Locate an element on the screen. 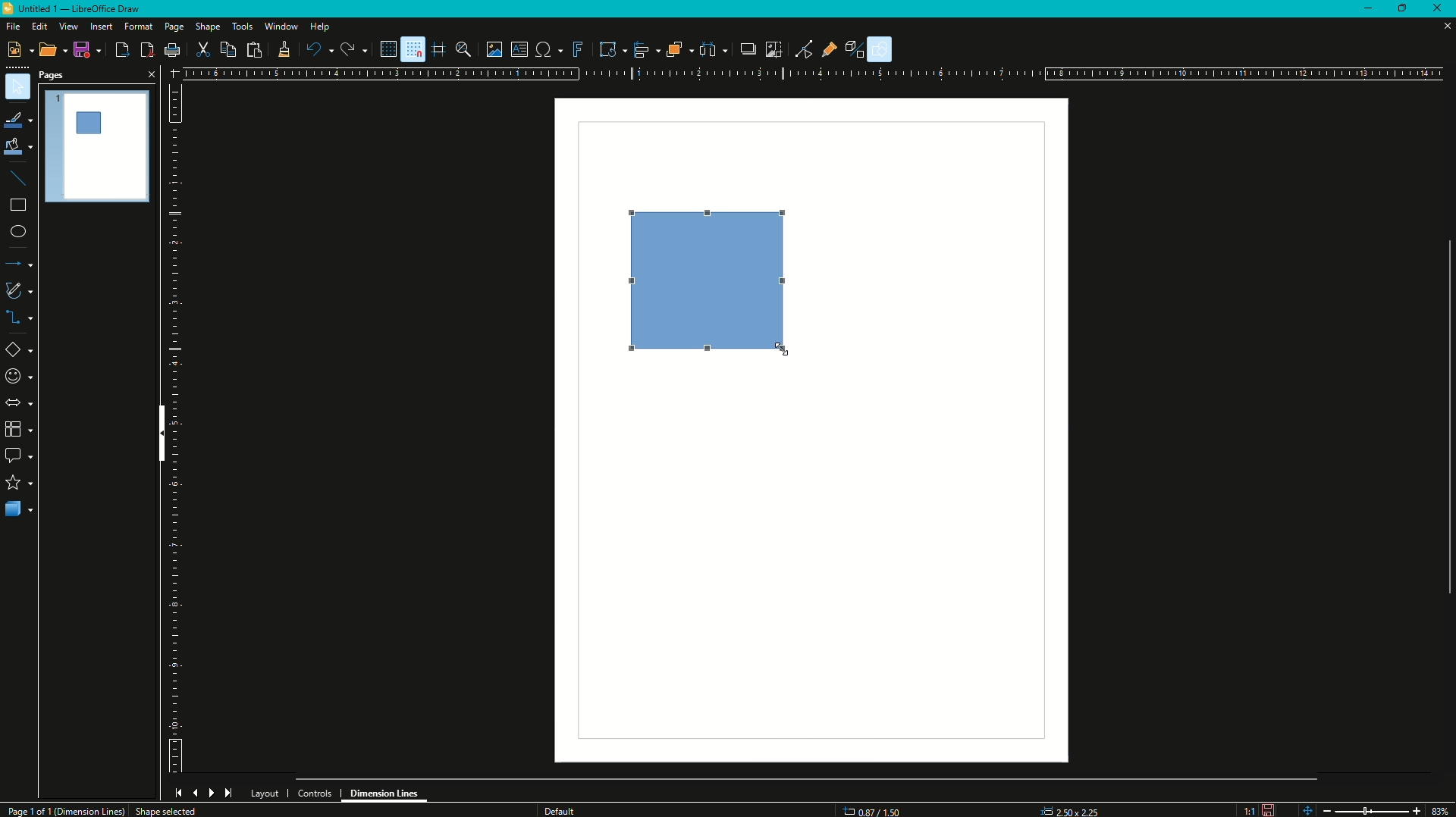  Arrange is located at coordinates (678, 49).